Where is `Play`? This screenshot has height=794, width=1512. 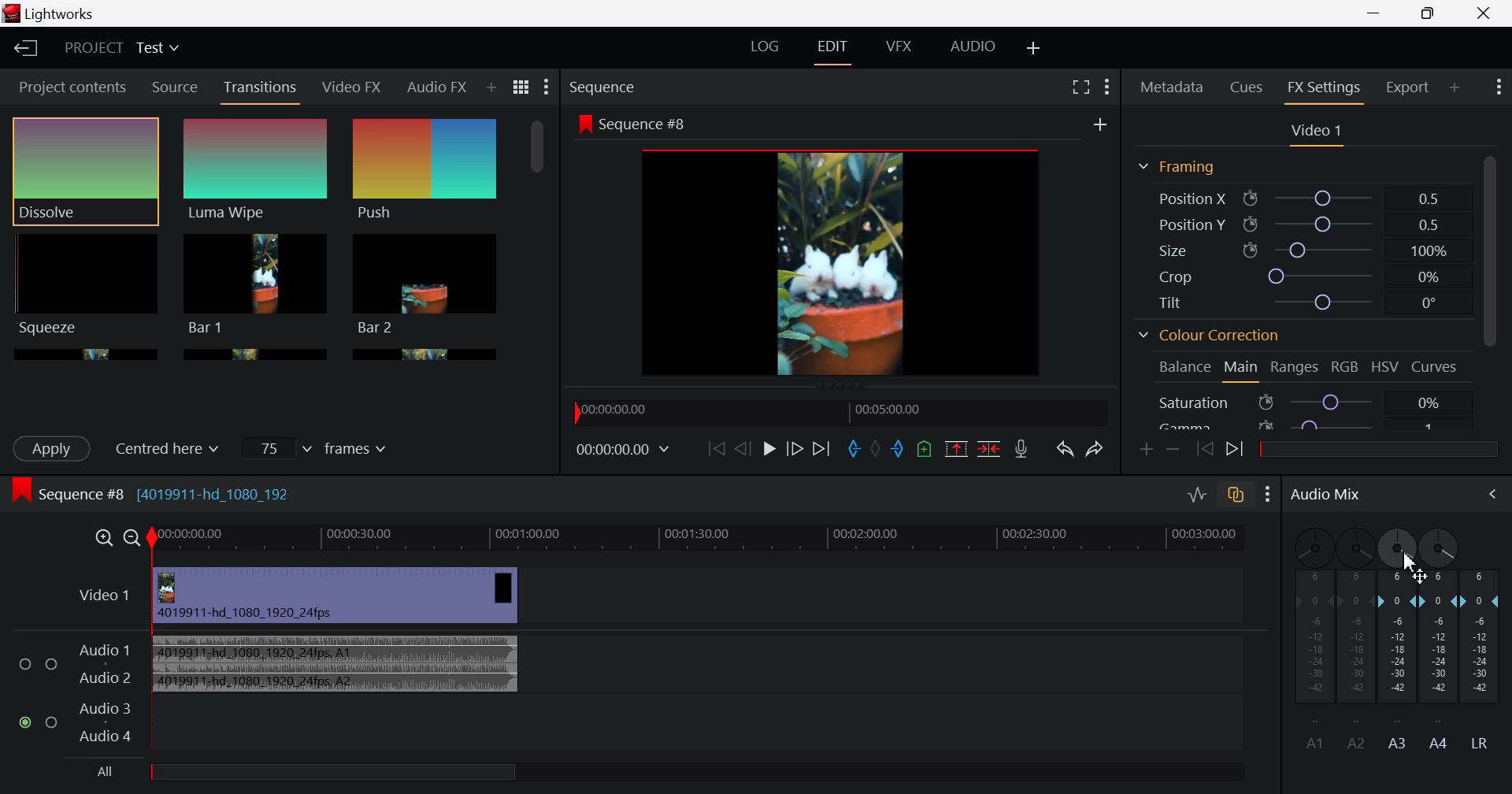 Play is located at coordinates (770, 448).